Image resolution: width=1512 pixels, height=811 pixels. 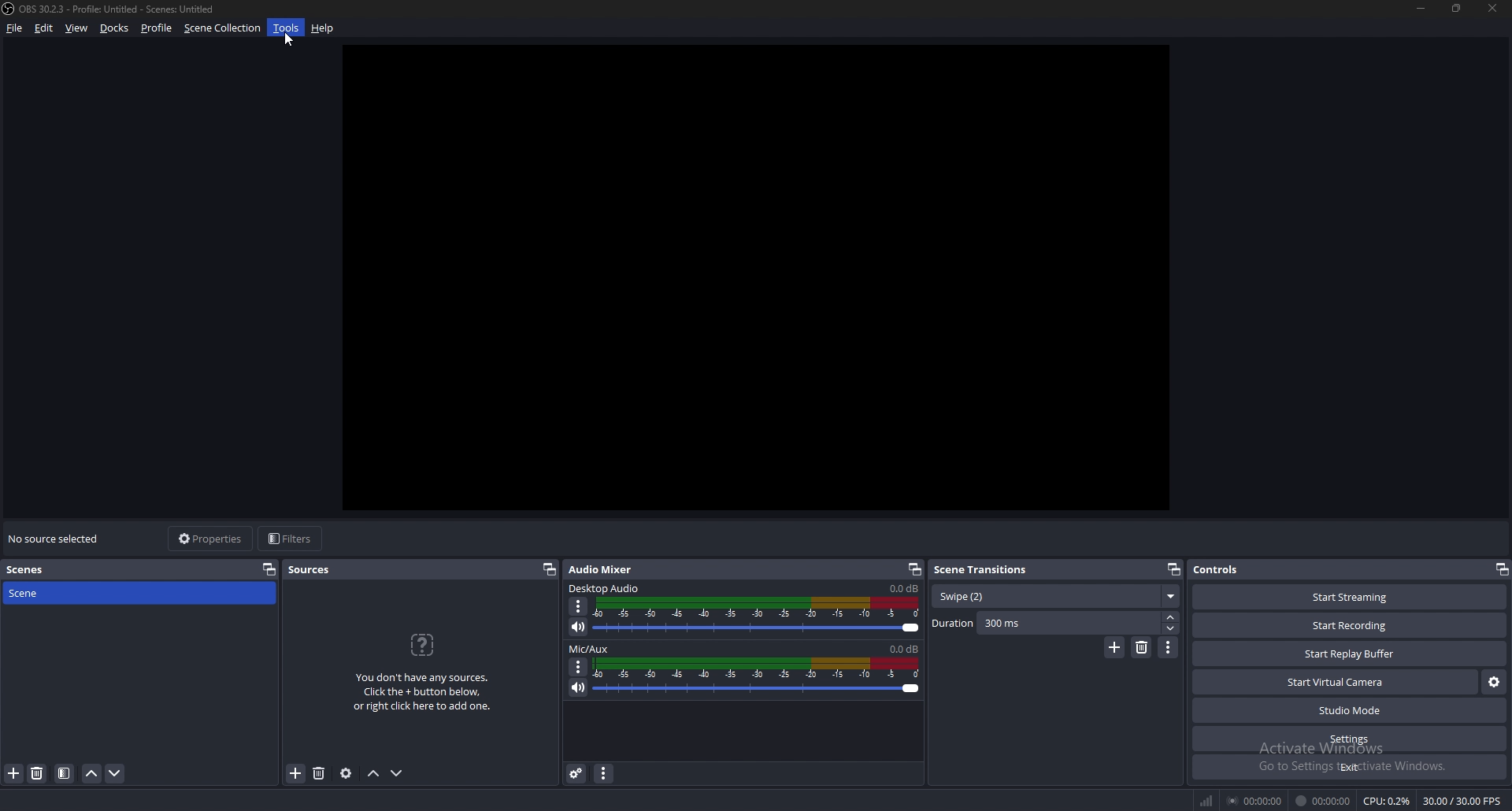 I want to click on docks, so click(x=115, y=28).